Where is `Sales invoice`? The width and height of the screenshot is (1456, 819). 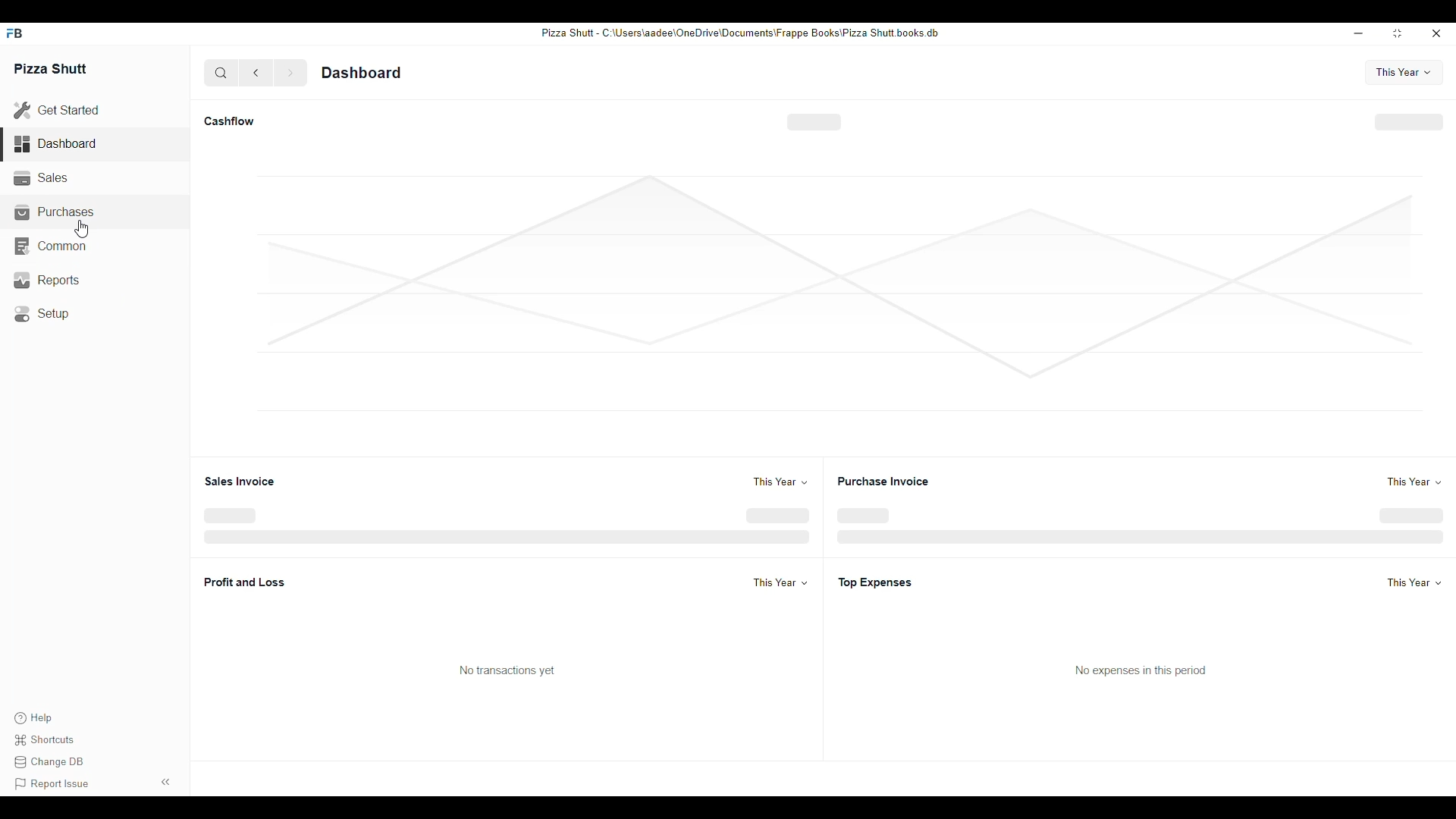 Sales invoice is located at coordinates (240, 482).